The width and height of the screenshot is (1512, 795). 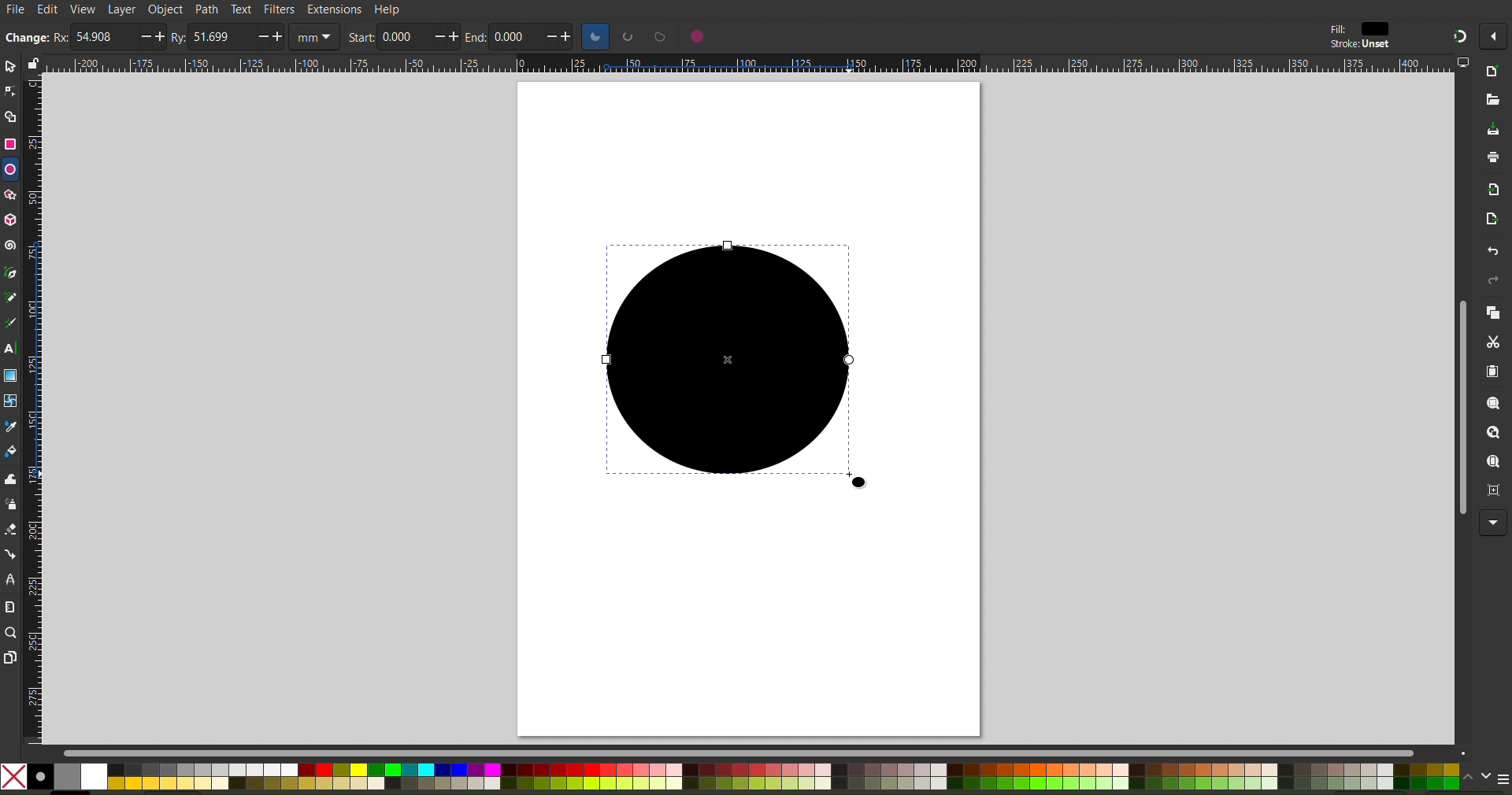 What do you see at coordinates (1493, 491) in the screenshot?
I see `Zoom Page Center` at bounding box center [1493, 491].